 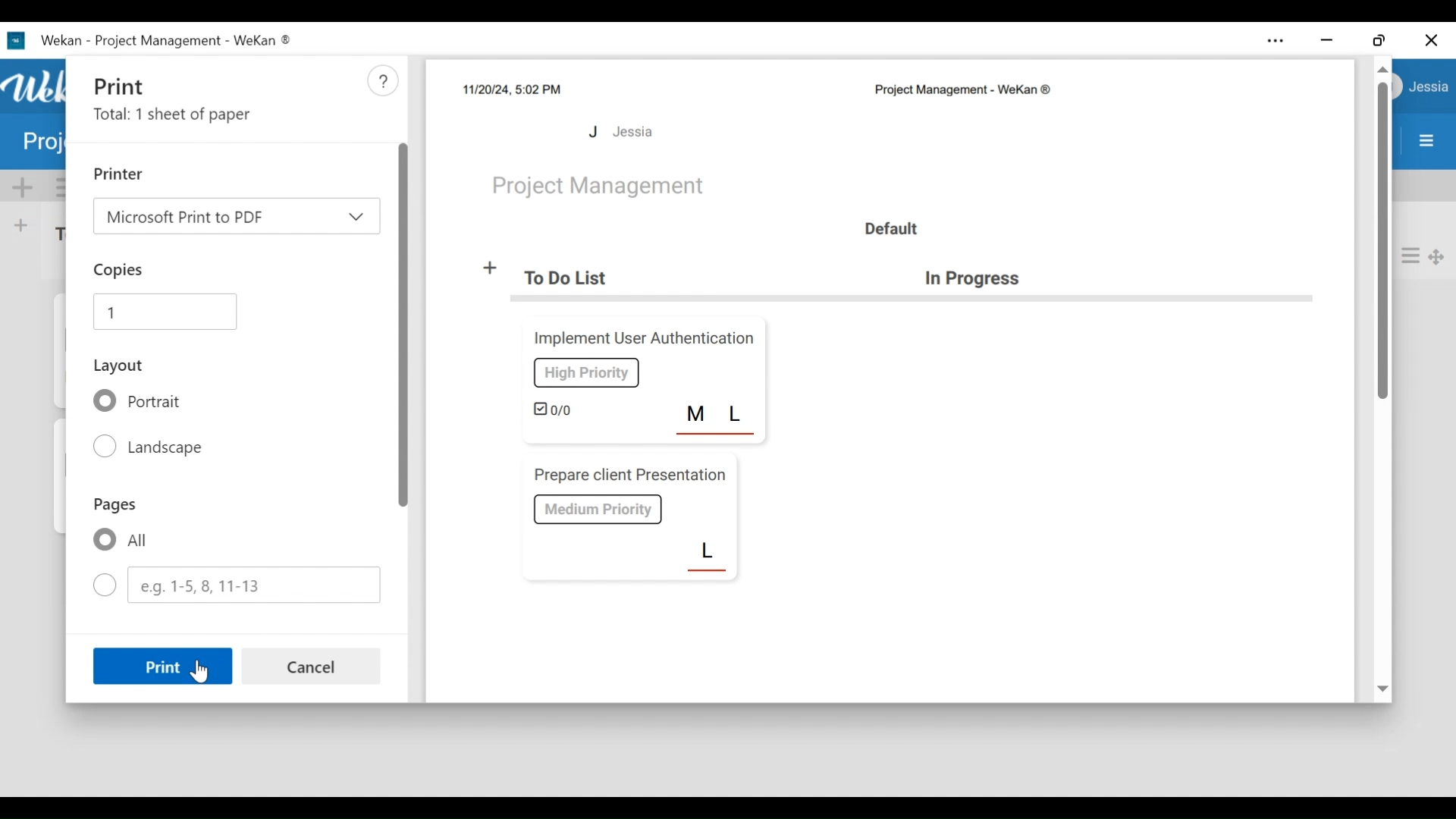 What do you see at coordinates (1430, 88) in the screenshot?
I see `Member menu` at bounding box center [1430, 88].